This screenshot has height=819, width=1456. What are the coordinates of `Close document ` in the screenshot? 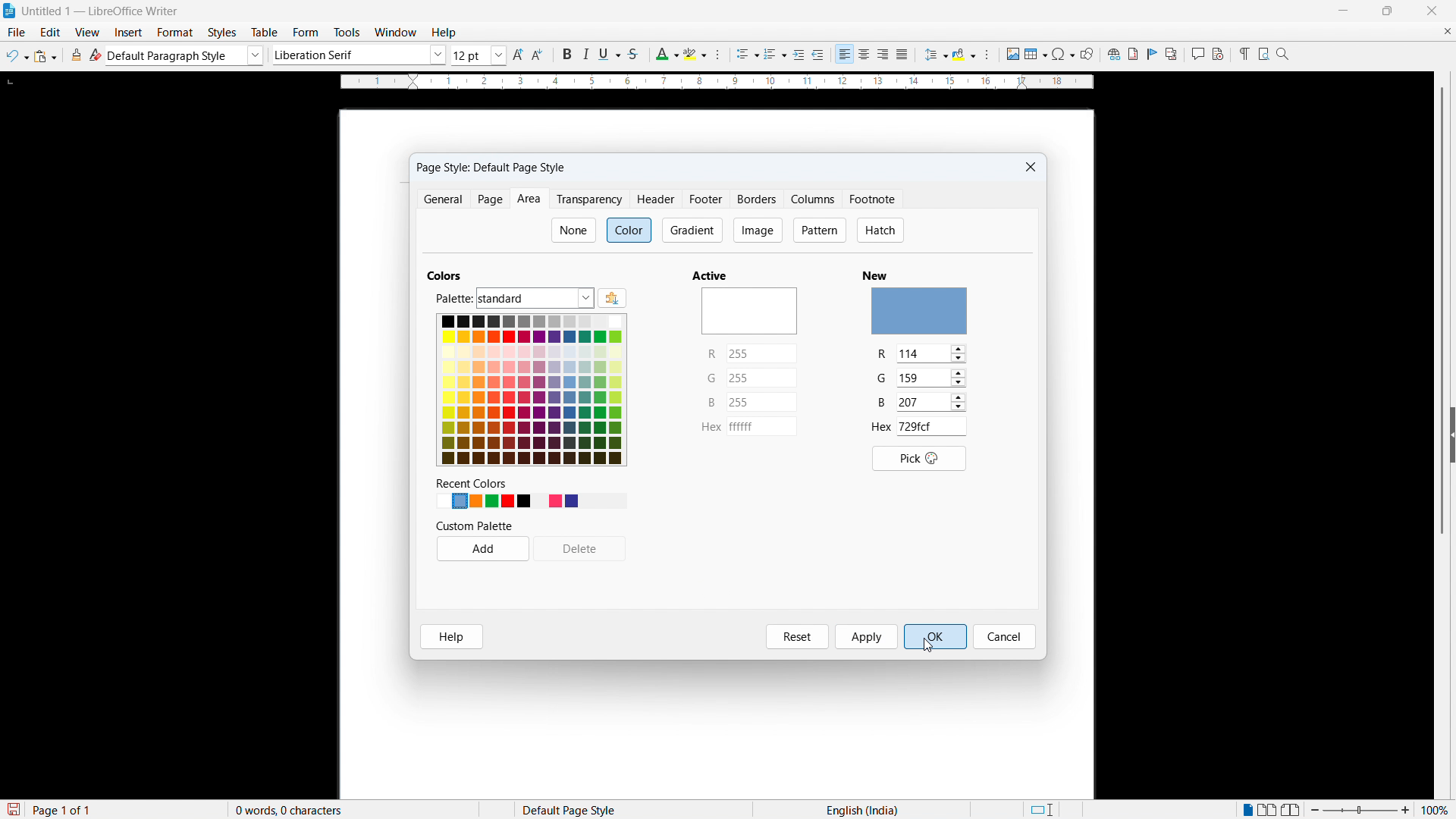 It's located at (1447, 30).